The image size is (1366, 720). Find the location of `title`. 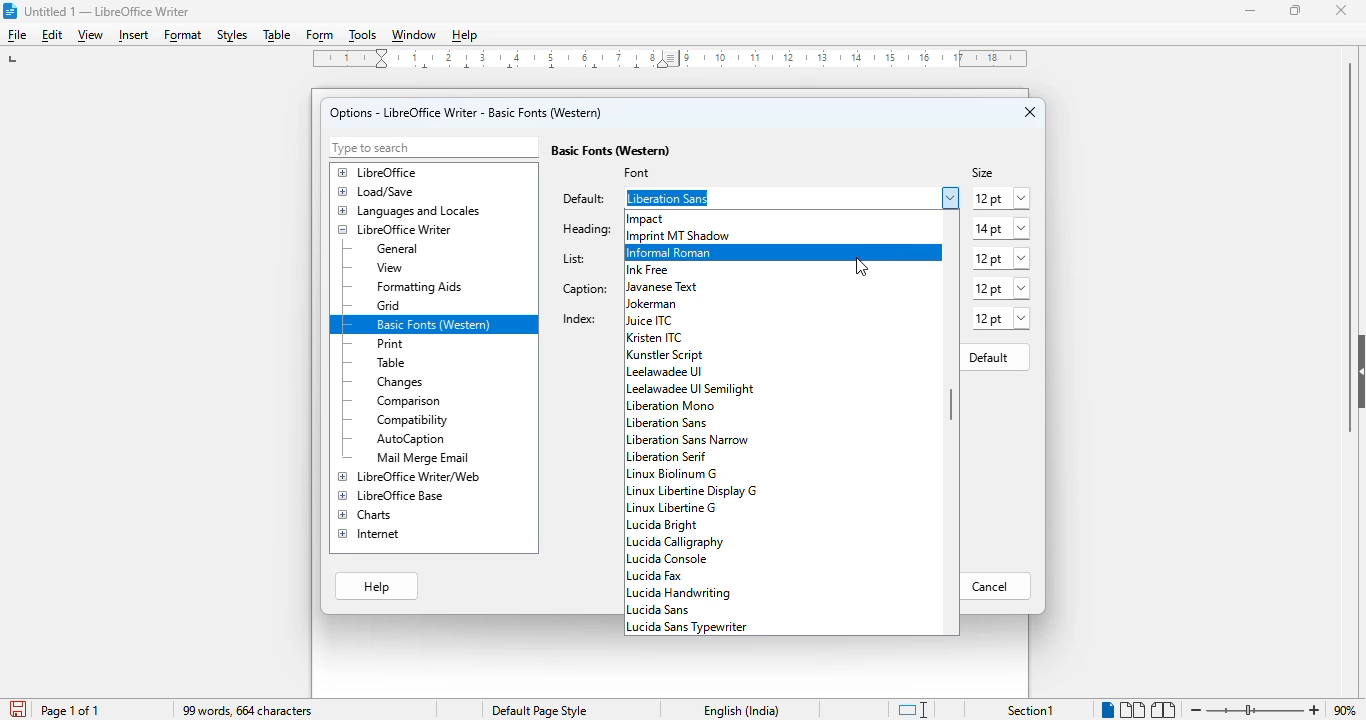

title is located at coordinates (106, 11).